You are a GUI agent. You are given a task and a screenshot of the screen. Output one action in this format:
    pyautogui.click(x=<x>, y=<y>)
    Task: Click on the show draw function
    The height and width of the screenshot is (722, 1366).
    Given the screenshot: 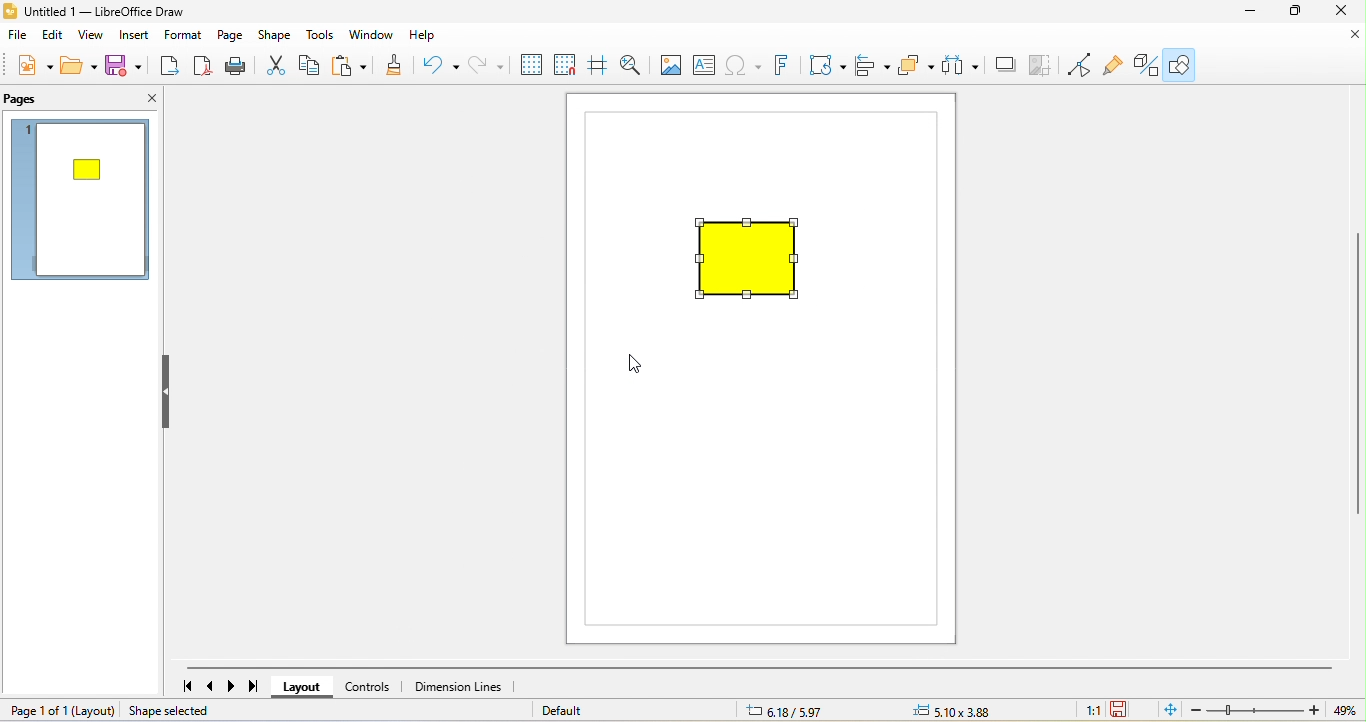 What is the action you would take?
    pyautogui.click(x=1183, y=66)
    